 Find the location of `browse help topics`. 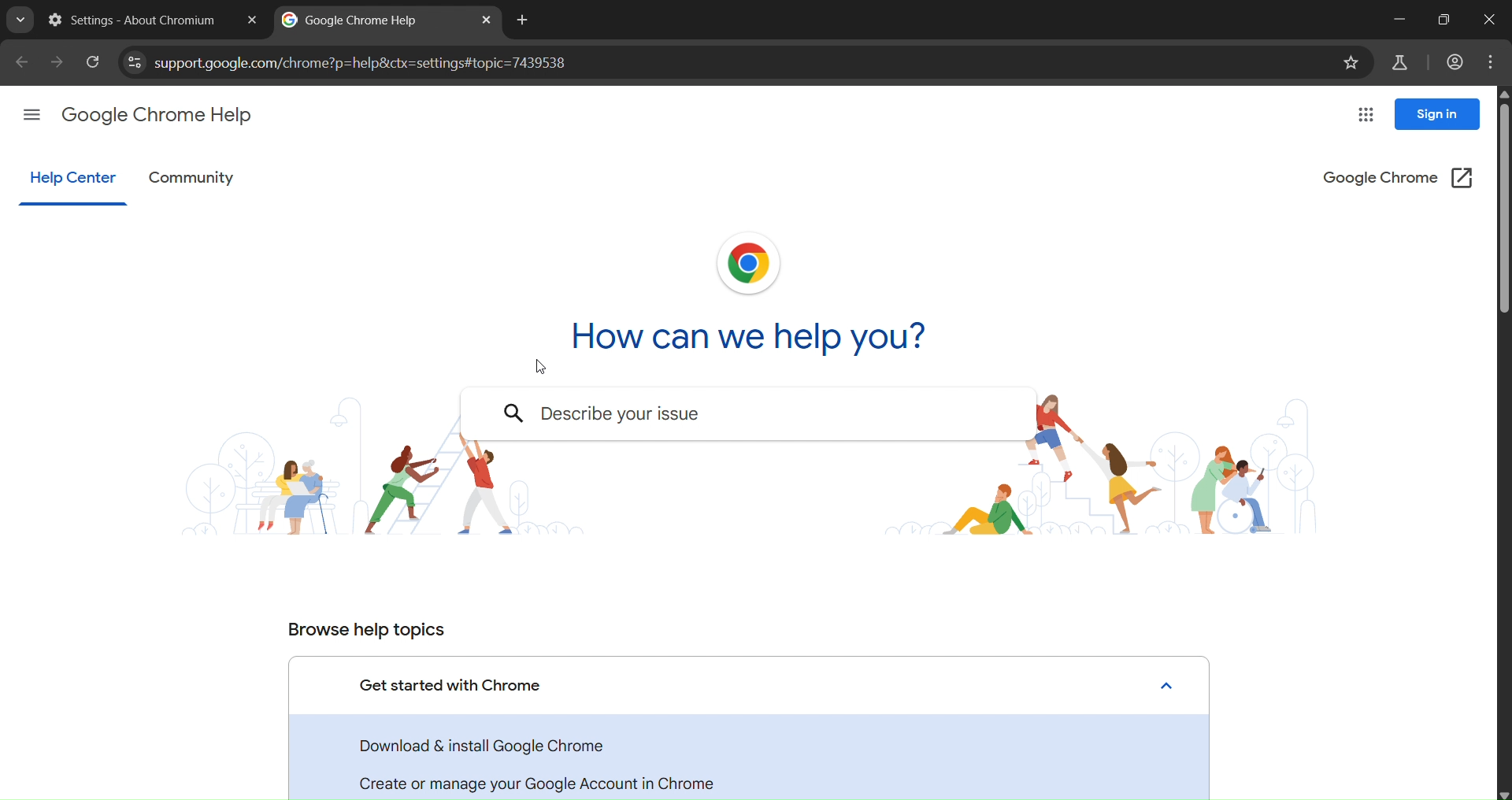

browse help topics is located at coordinates (364, 627).